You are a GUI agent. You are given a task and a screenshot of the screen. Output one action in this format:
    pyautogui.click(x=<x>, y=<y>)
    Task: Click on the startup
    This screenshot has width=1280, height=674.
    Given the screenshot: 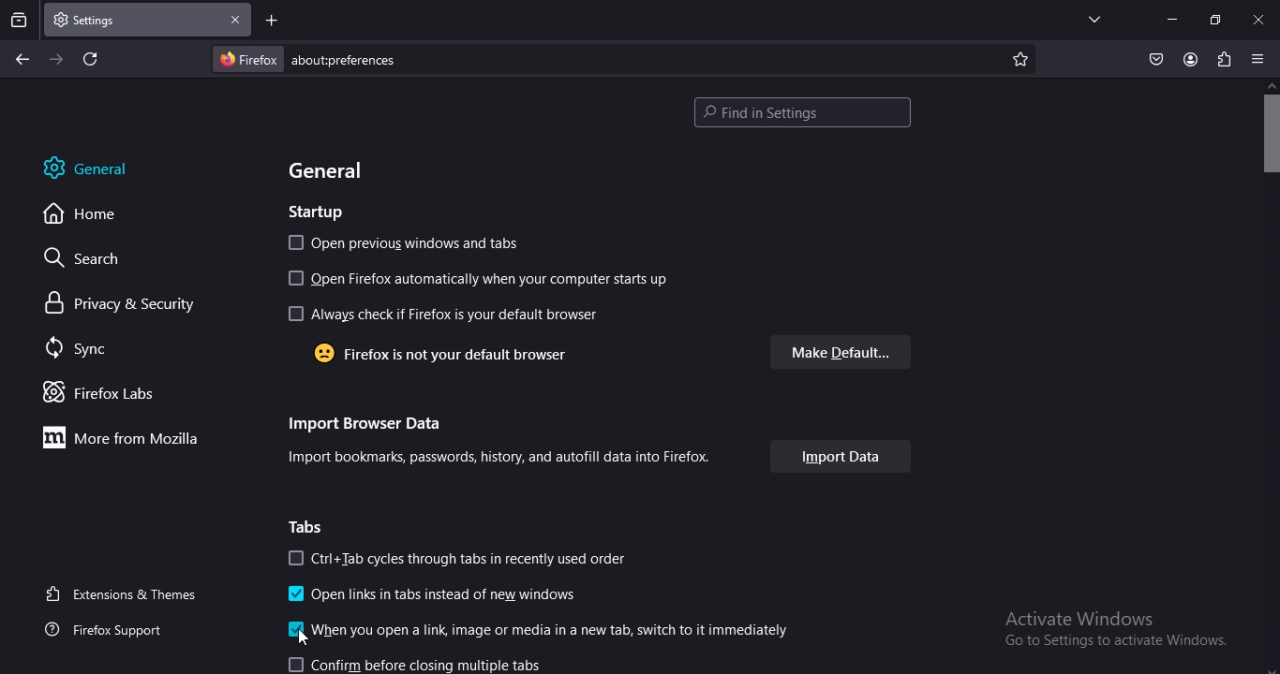 What is the action you would take?
    pyautogui.click(x=316, y=213)
    